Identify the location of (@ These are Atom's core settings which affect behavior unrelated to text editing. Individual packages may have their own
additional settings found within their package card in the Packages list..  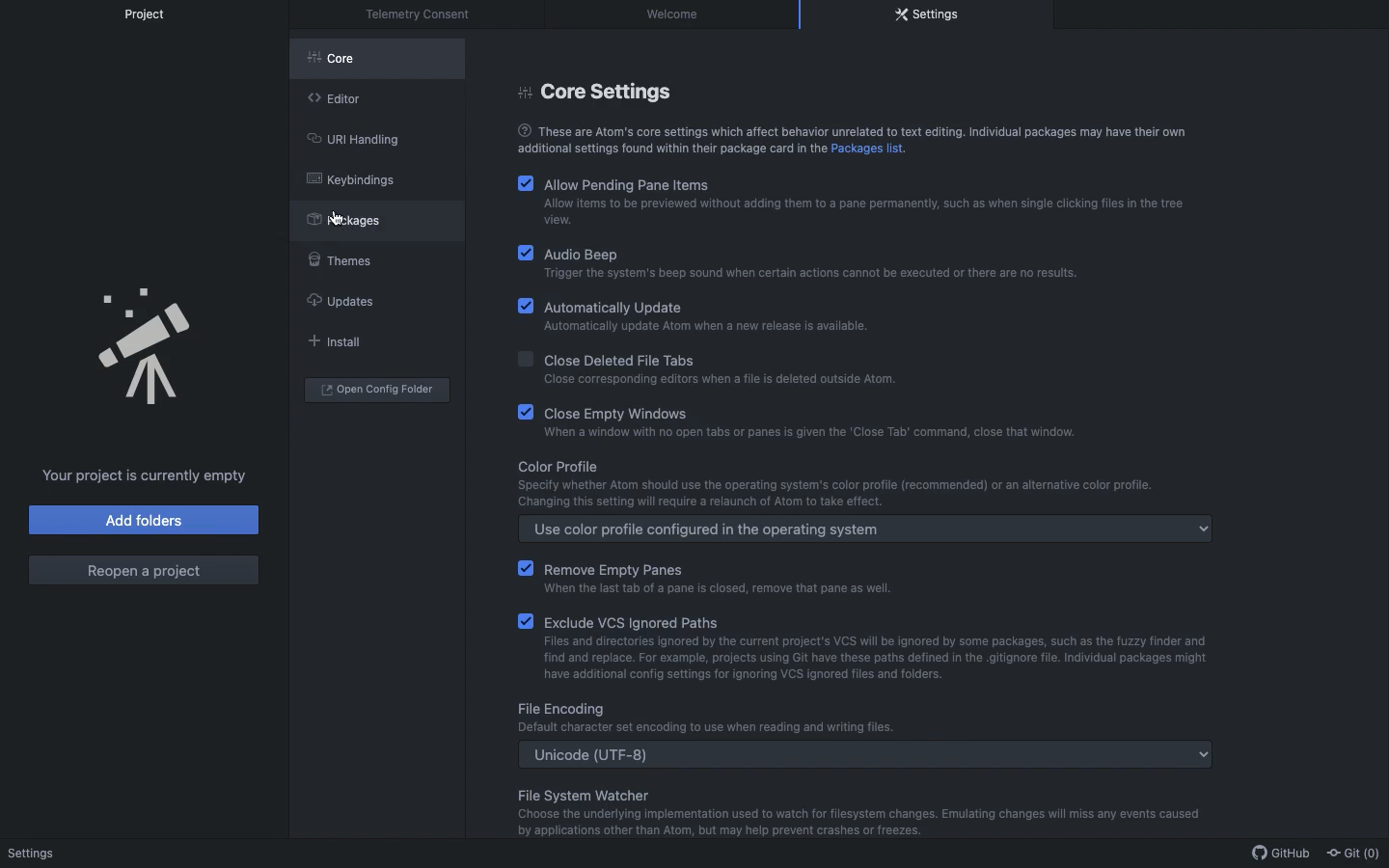
(848, 139).